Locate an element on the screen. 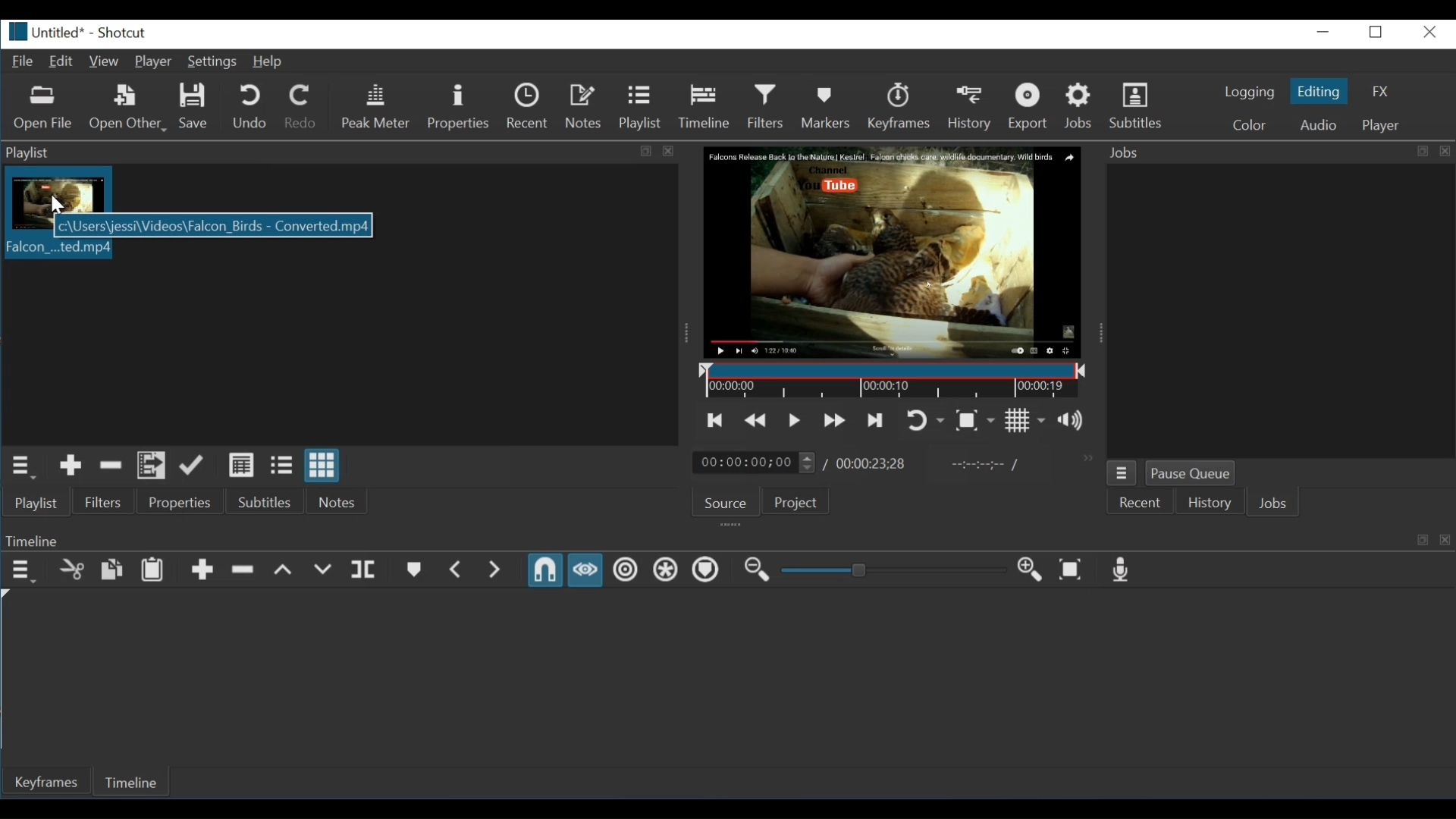 The width and height of the screenshot is (1456, 819). Skip to the next point is located at coordinates (873, 420).